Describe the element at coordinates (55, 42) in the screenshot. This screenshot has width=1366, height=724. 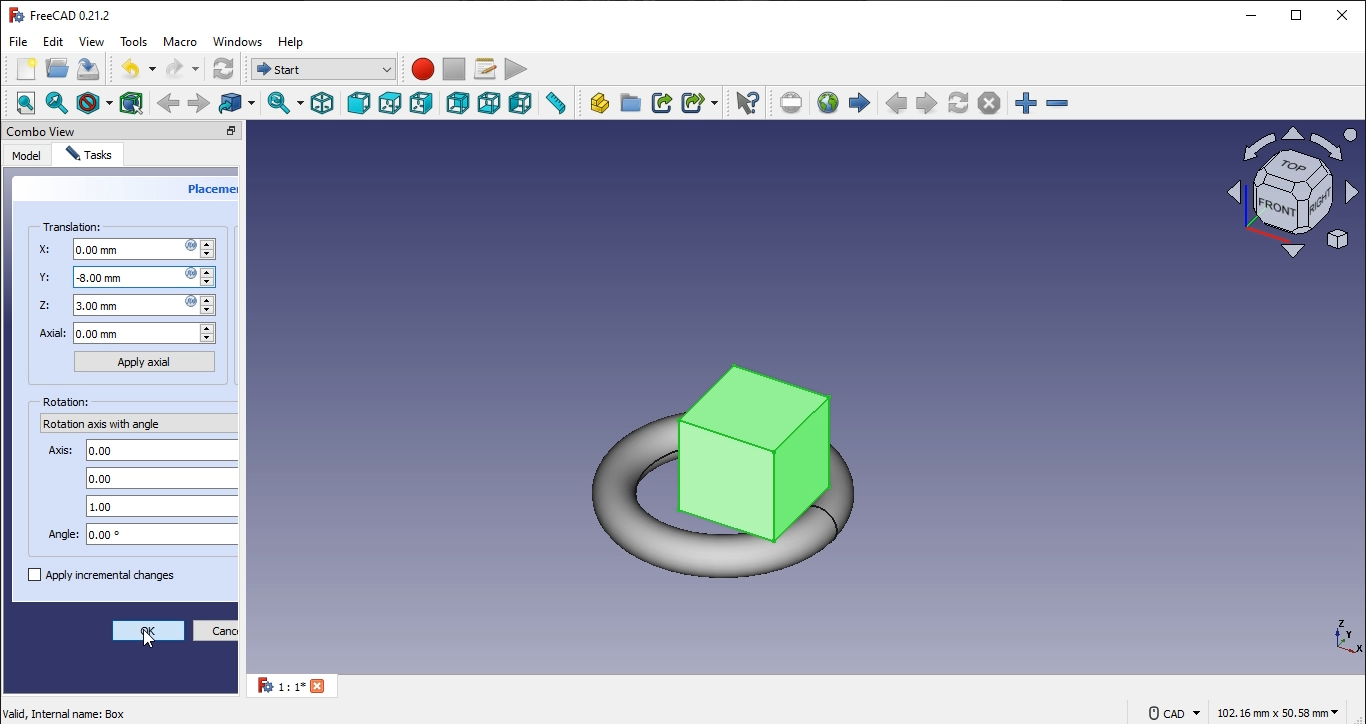
I see `edit` at that location.